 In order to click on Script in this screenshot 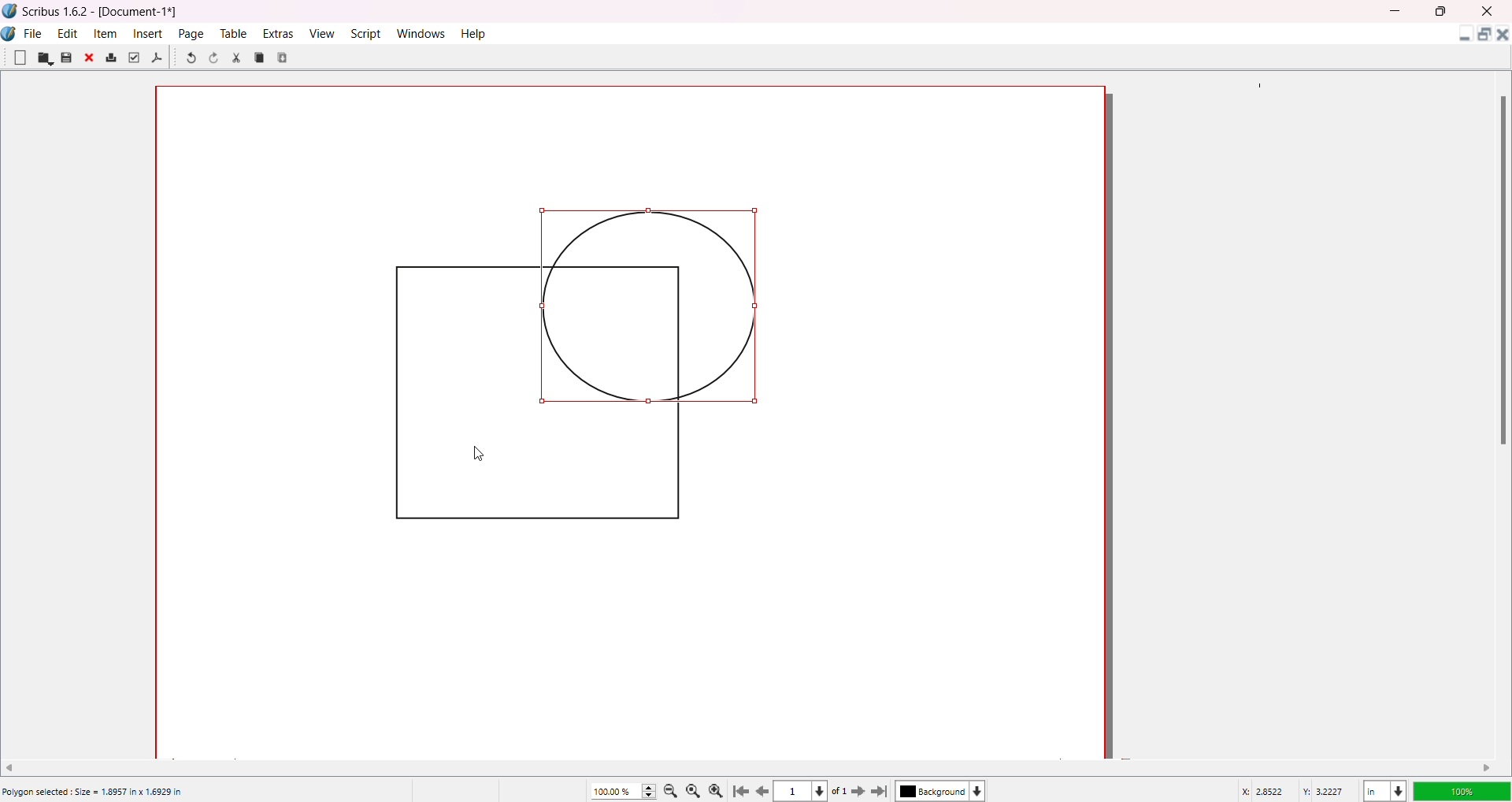, I will do `click(368, 32)`.